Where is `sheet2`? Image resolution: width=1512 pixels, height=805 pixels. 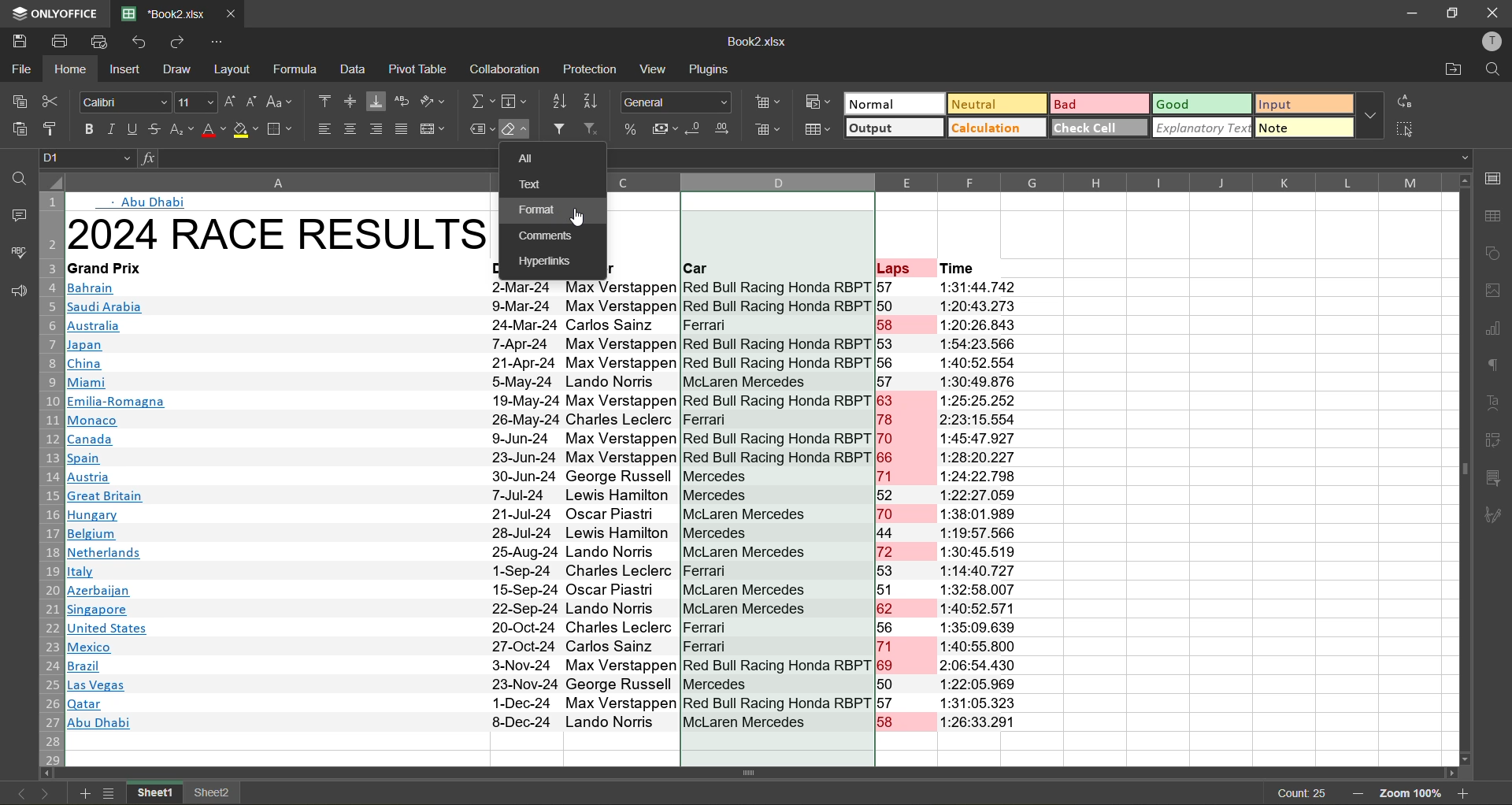
sheet2 is located at coordinates (213, 794).